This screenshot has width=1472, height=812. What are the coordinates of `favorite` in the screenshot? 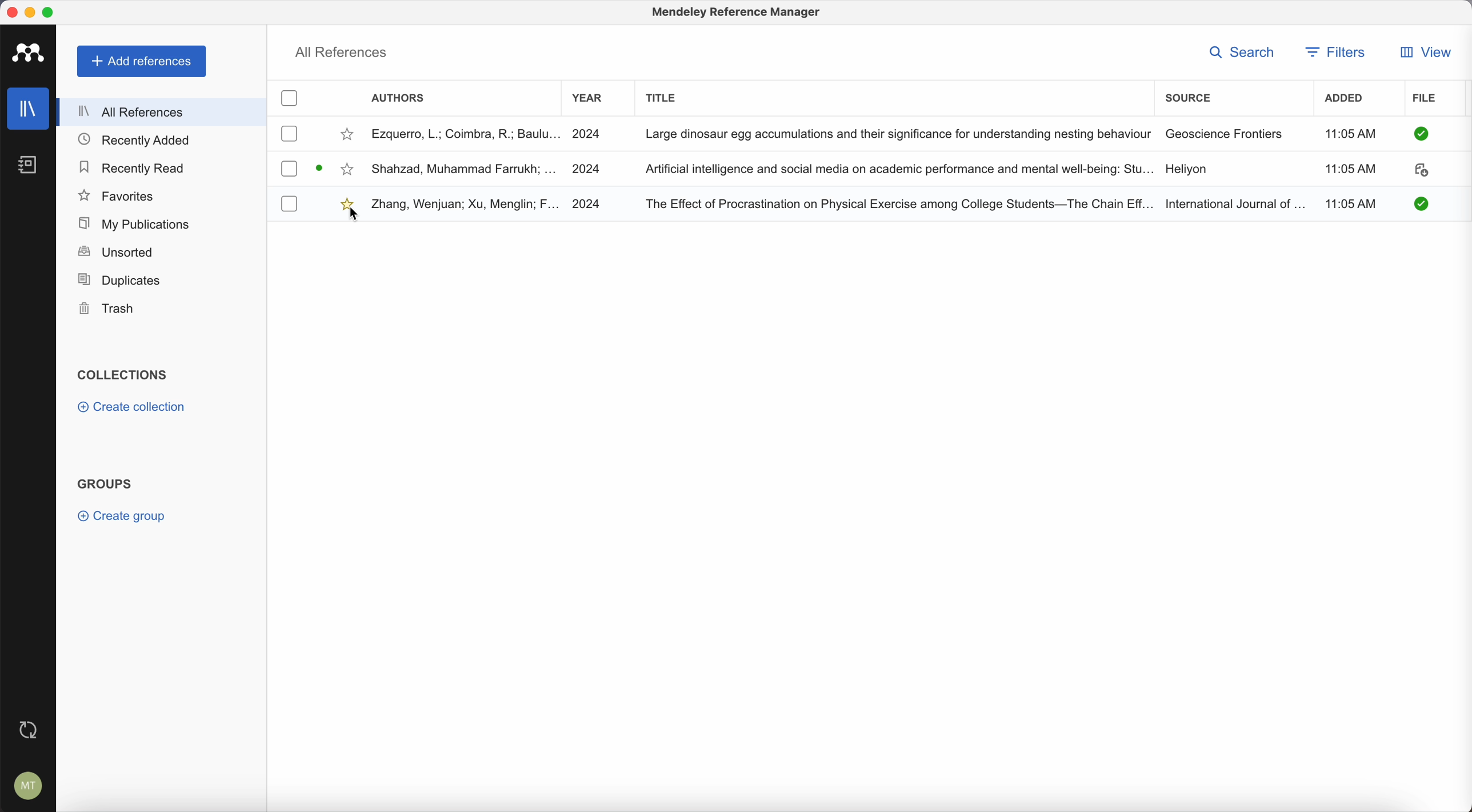 It's located at (348, 170).